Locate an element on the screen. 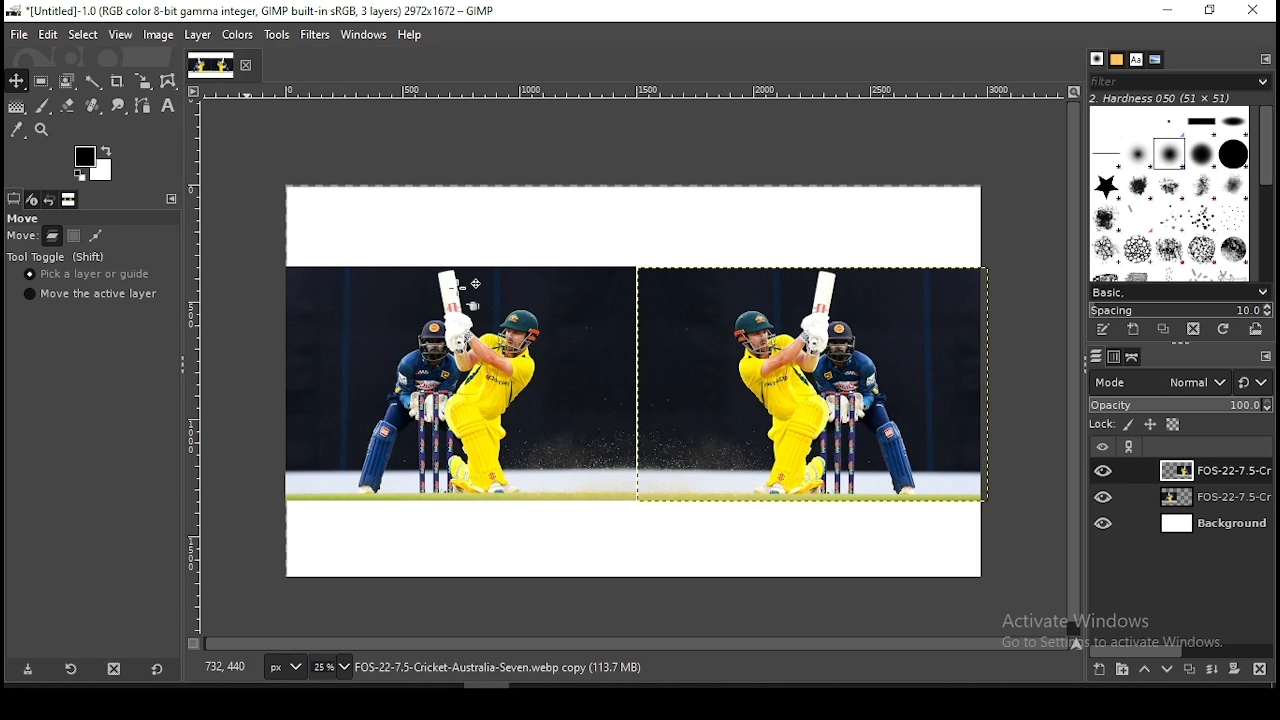 This screenshot has height=720, width=1280. open brush as image is located at coordinates (1258, 329).